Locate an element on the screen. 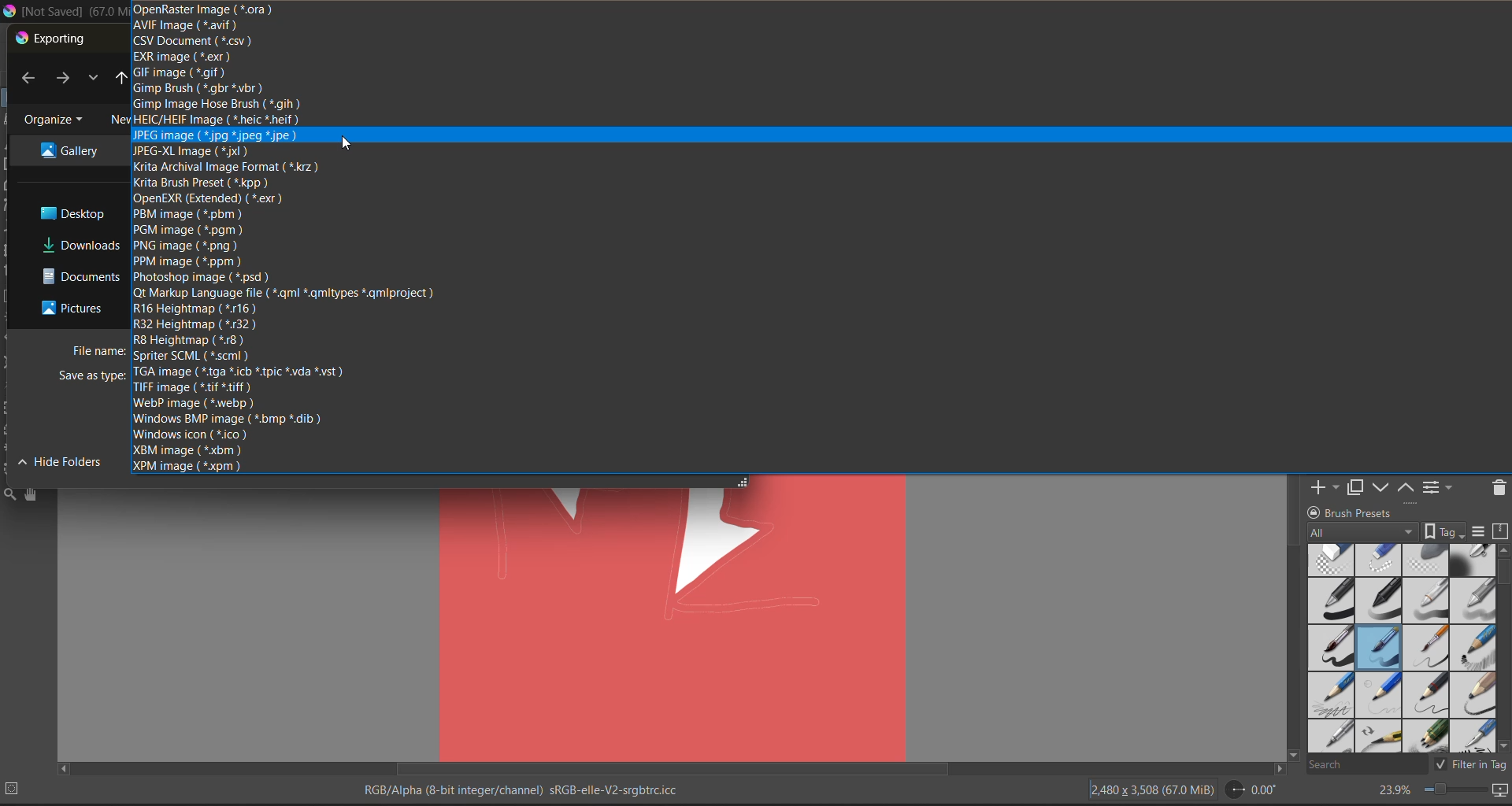 The image size is (1512, 806). photoshop image is located at coordinates (222, 278).